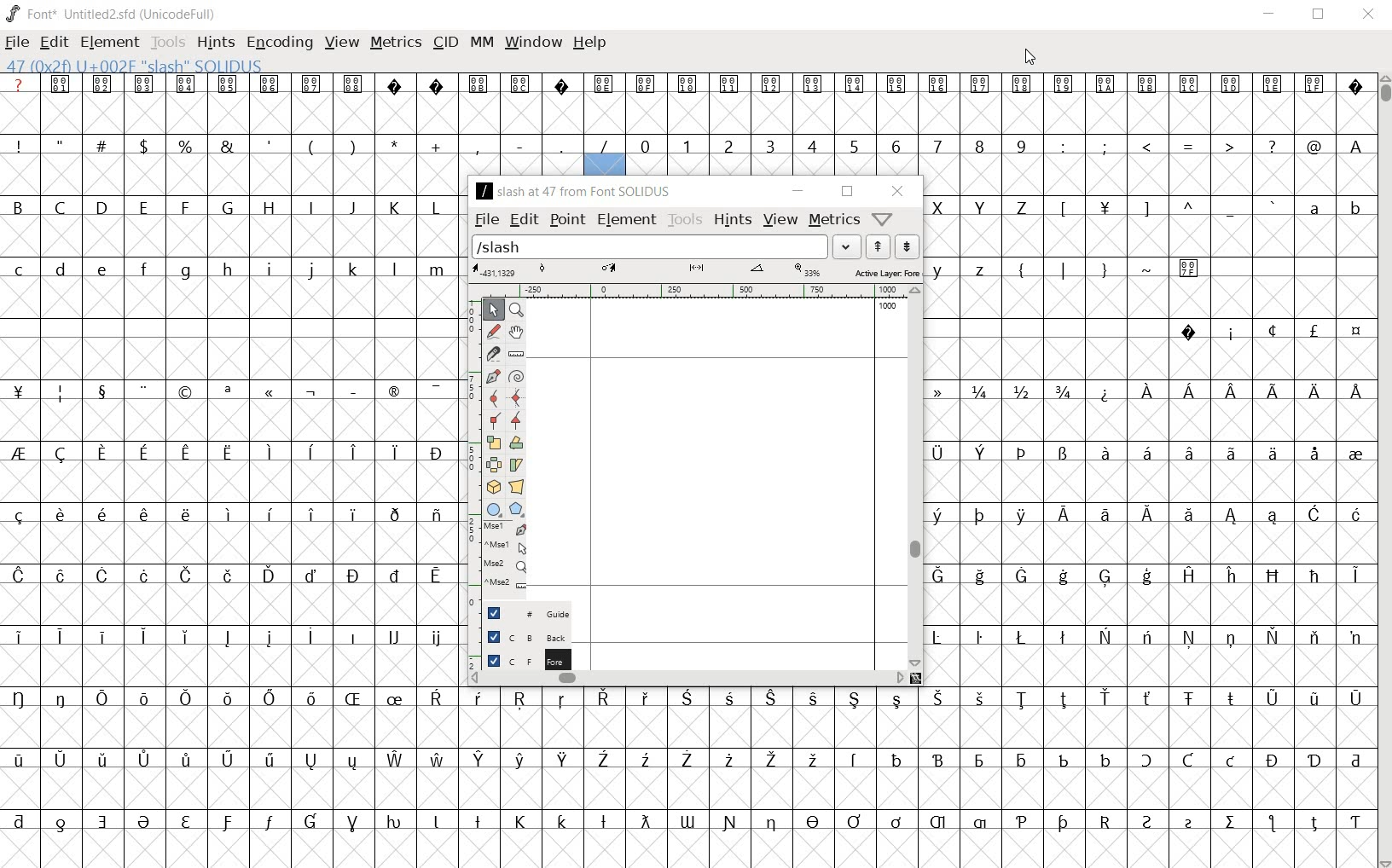 The height and width of the screenshot is (868, 1392). What do you see at coordinates (216, 43) in the screenshot?
I see `HINTS` at bounding box center [216, 43].